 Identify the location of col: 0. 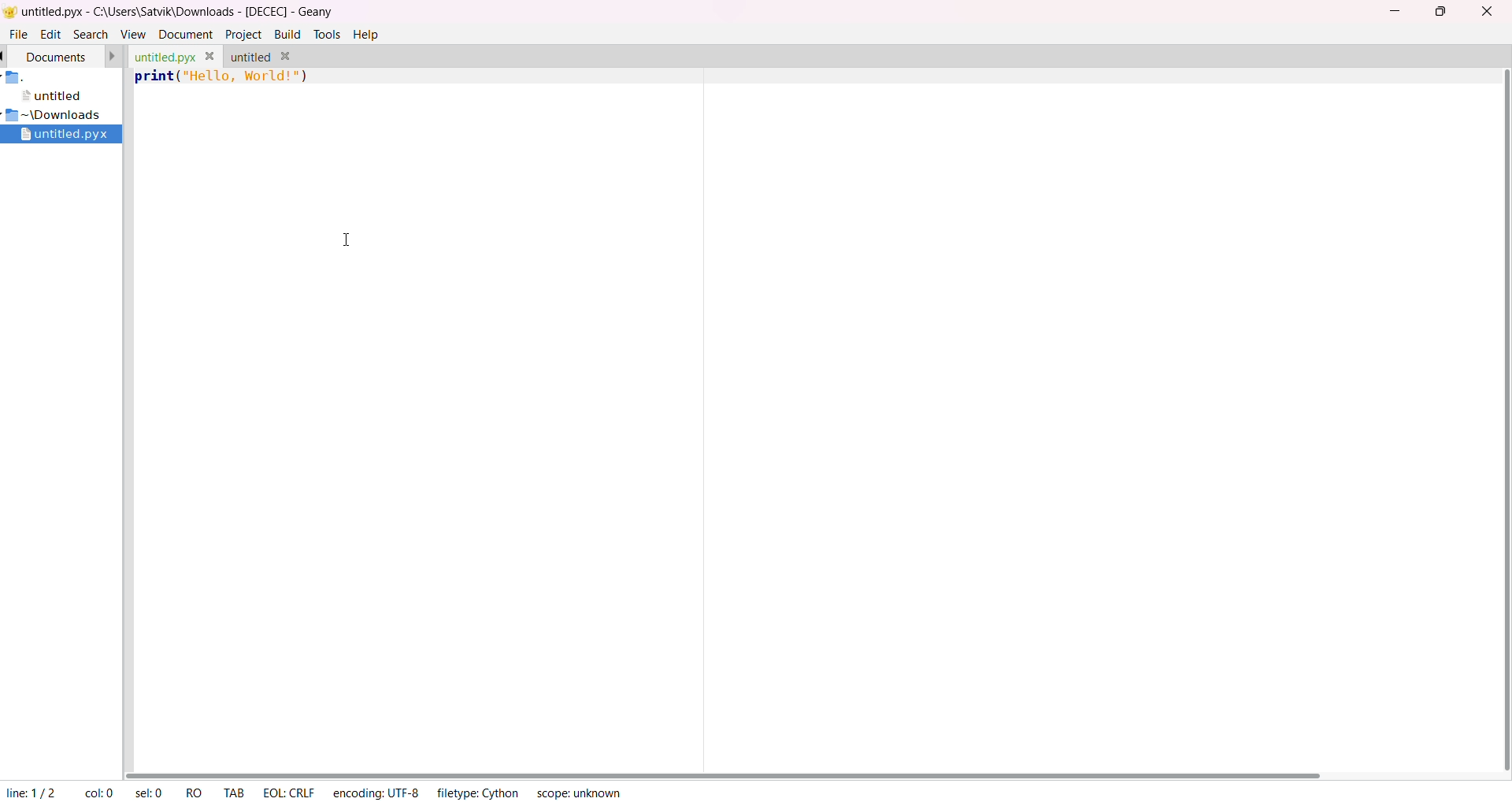
(96, 792).